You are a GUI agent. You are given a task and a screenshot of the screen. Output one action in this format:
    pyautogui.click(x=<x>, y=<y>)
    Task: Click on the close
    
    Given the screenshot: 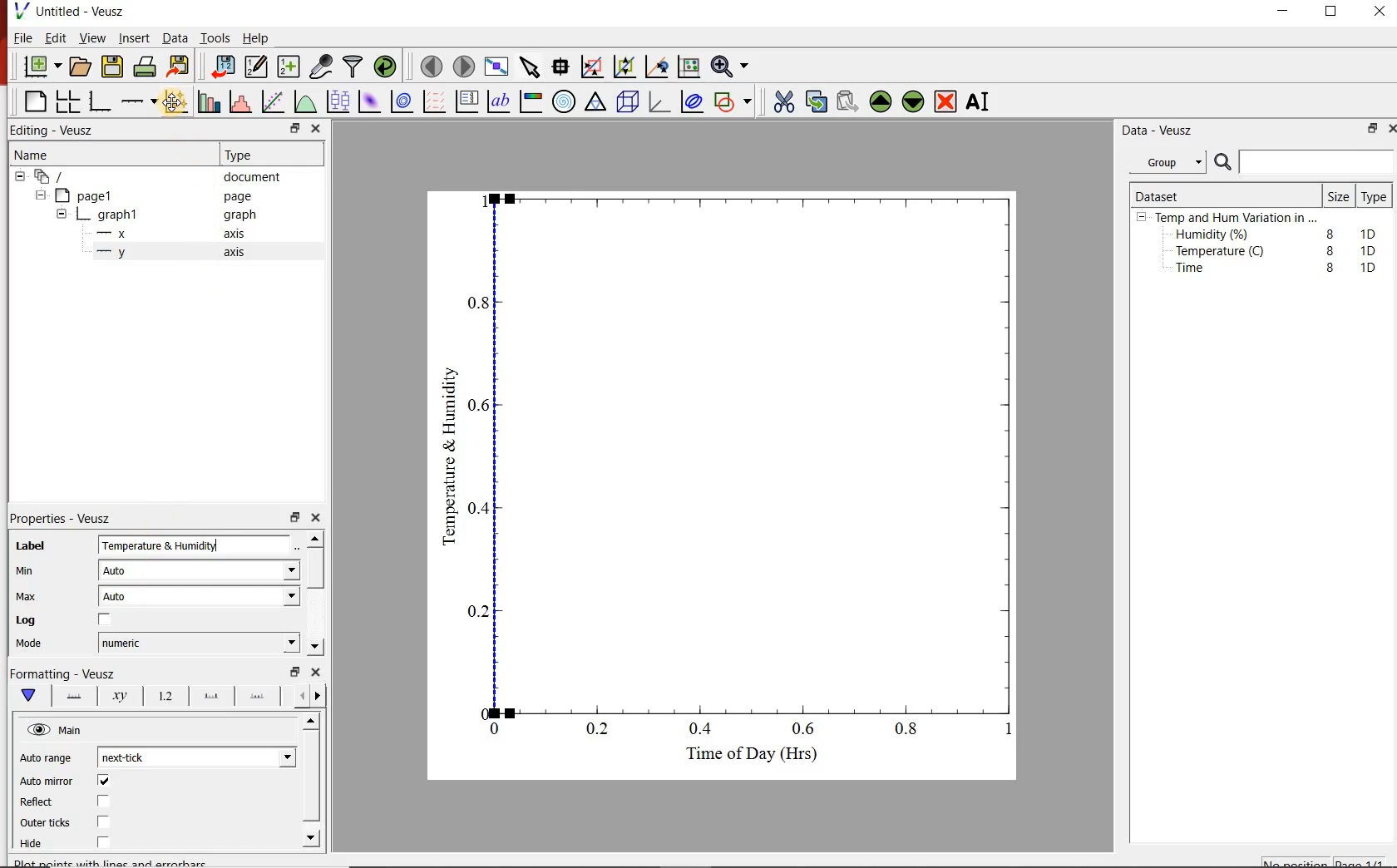 What is the action you would take?
    pyautogui.click(x=1389, y=128)
    